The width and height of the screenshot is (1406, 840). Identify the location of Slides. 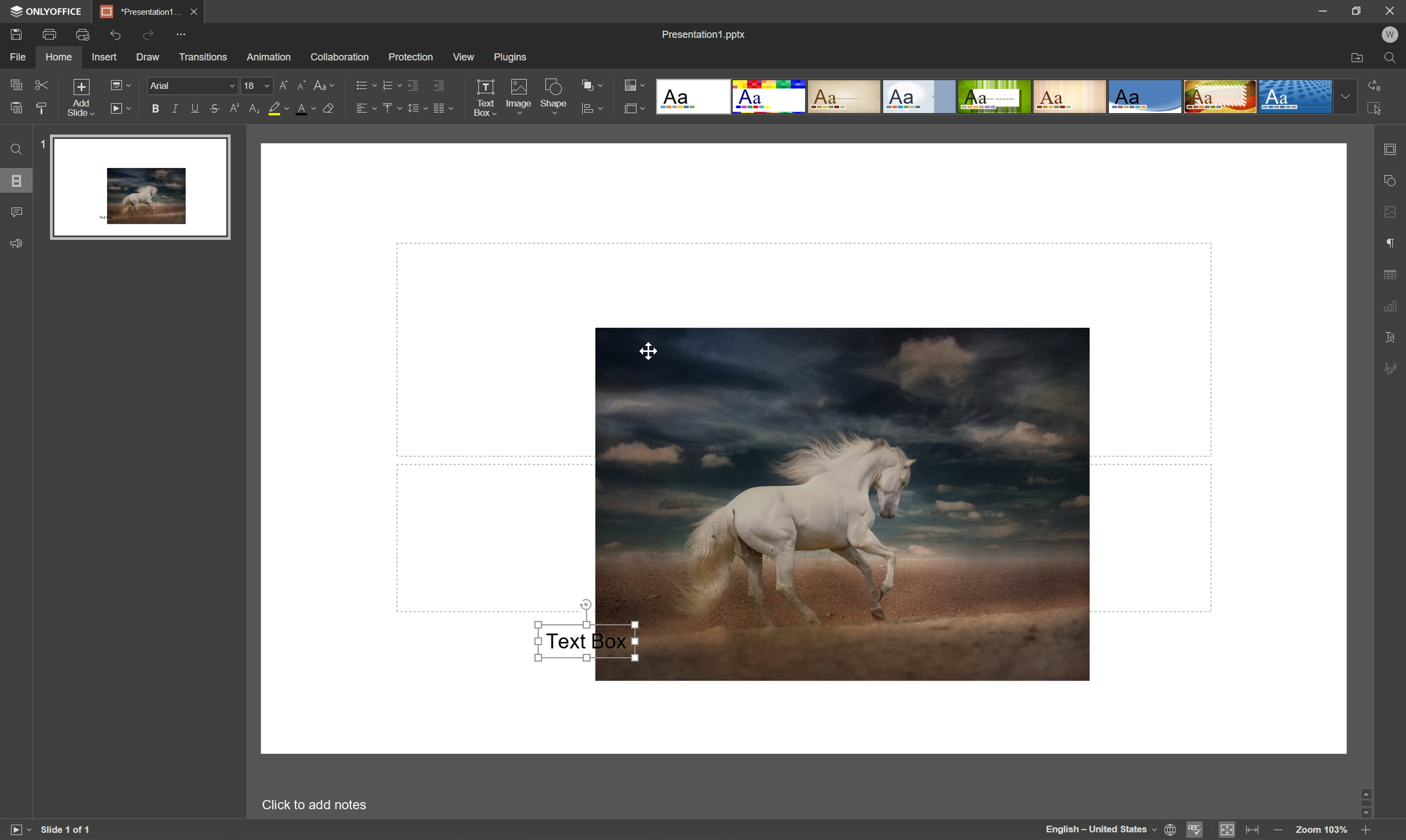
(15, 181).